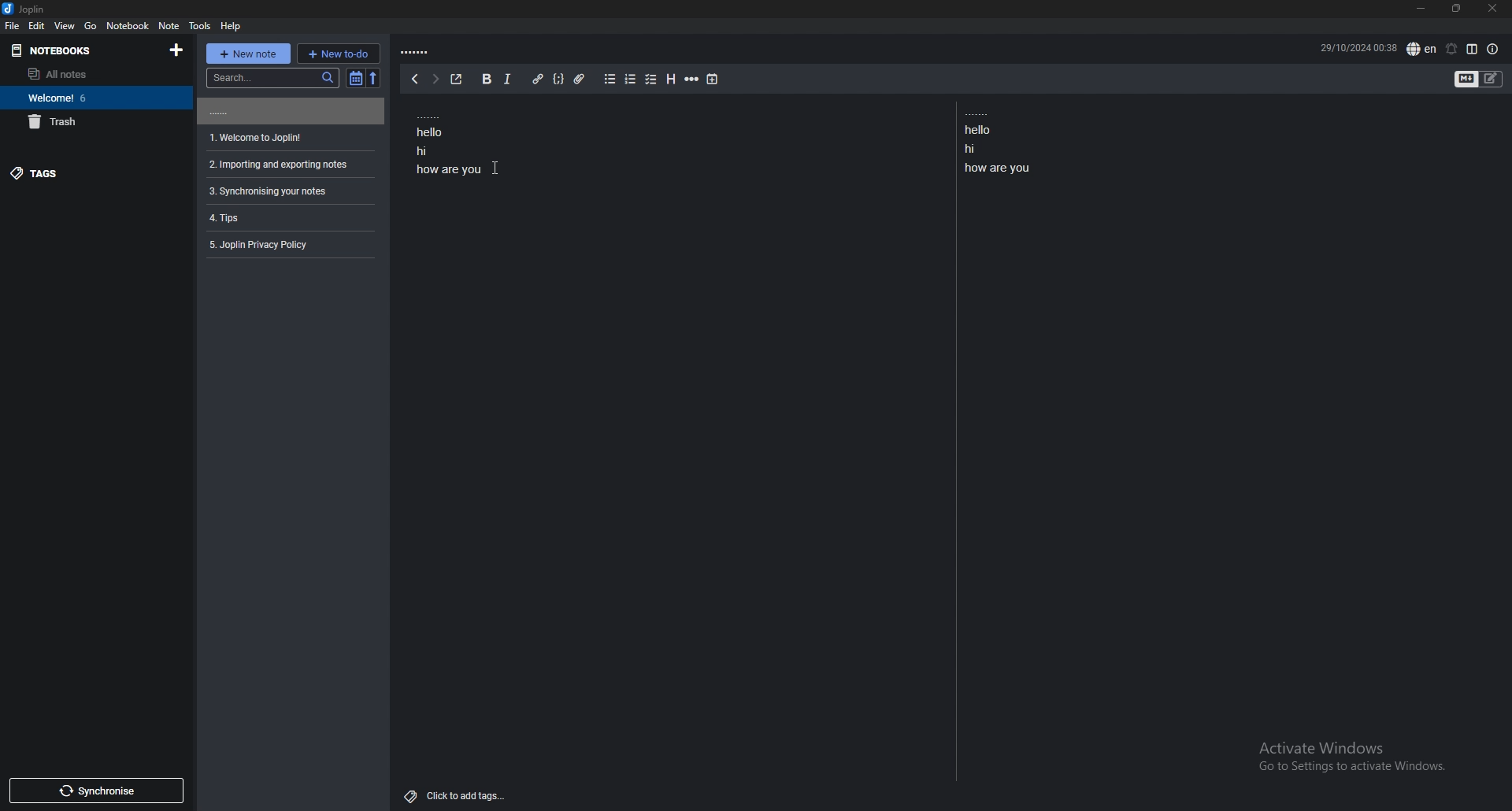 The image size is (1512, 811). Describe the element at coordinates (1451, 49) in the screenshot. I see `set alarm` at that location.